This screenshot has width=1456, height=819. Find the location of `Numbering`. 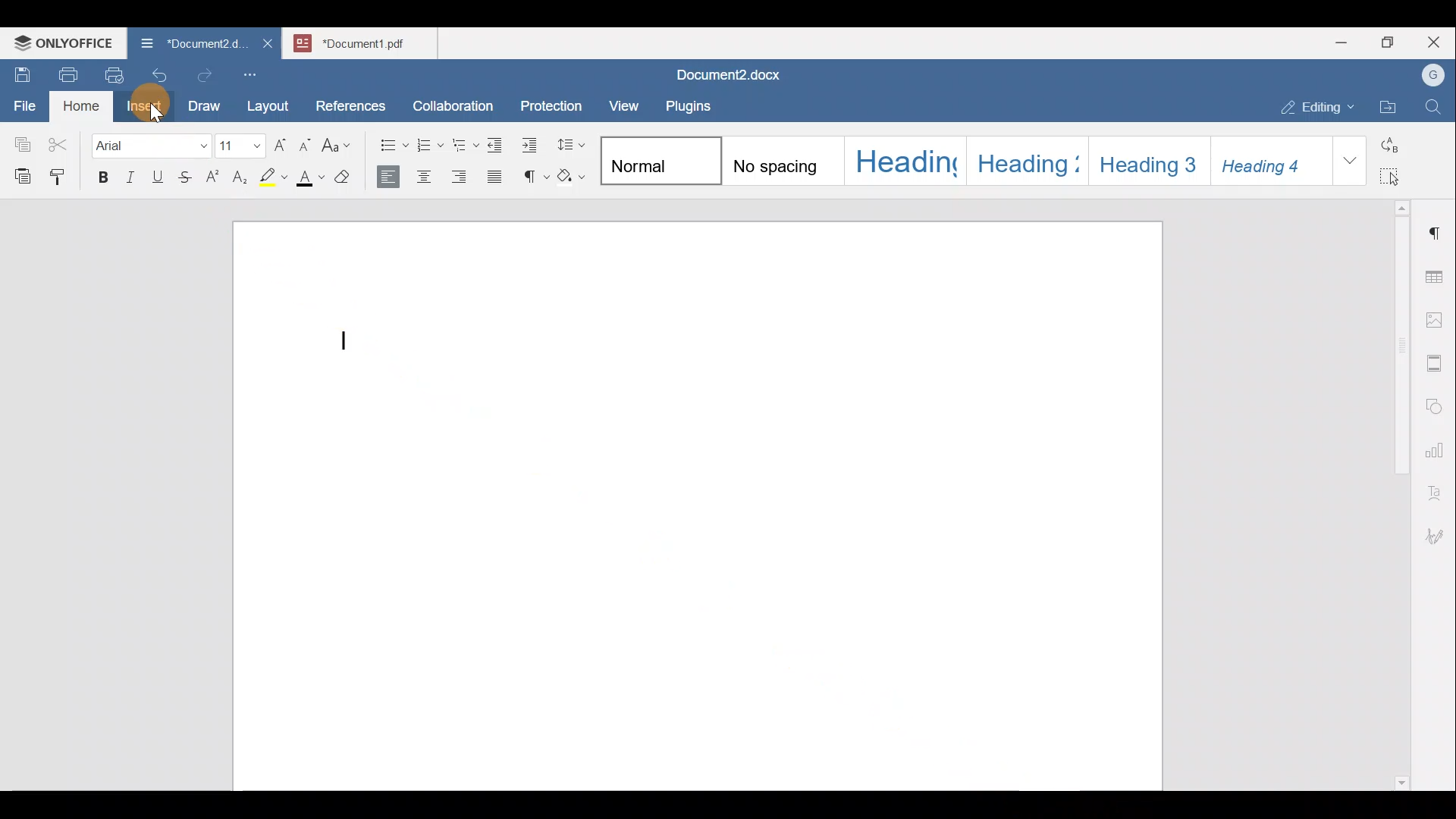

Numbering is located at coordinates (429, 146).